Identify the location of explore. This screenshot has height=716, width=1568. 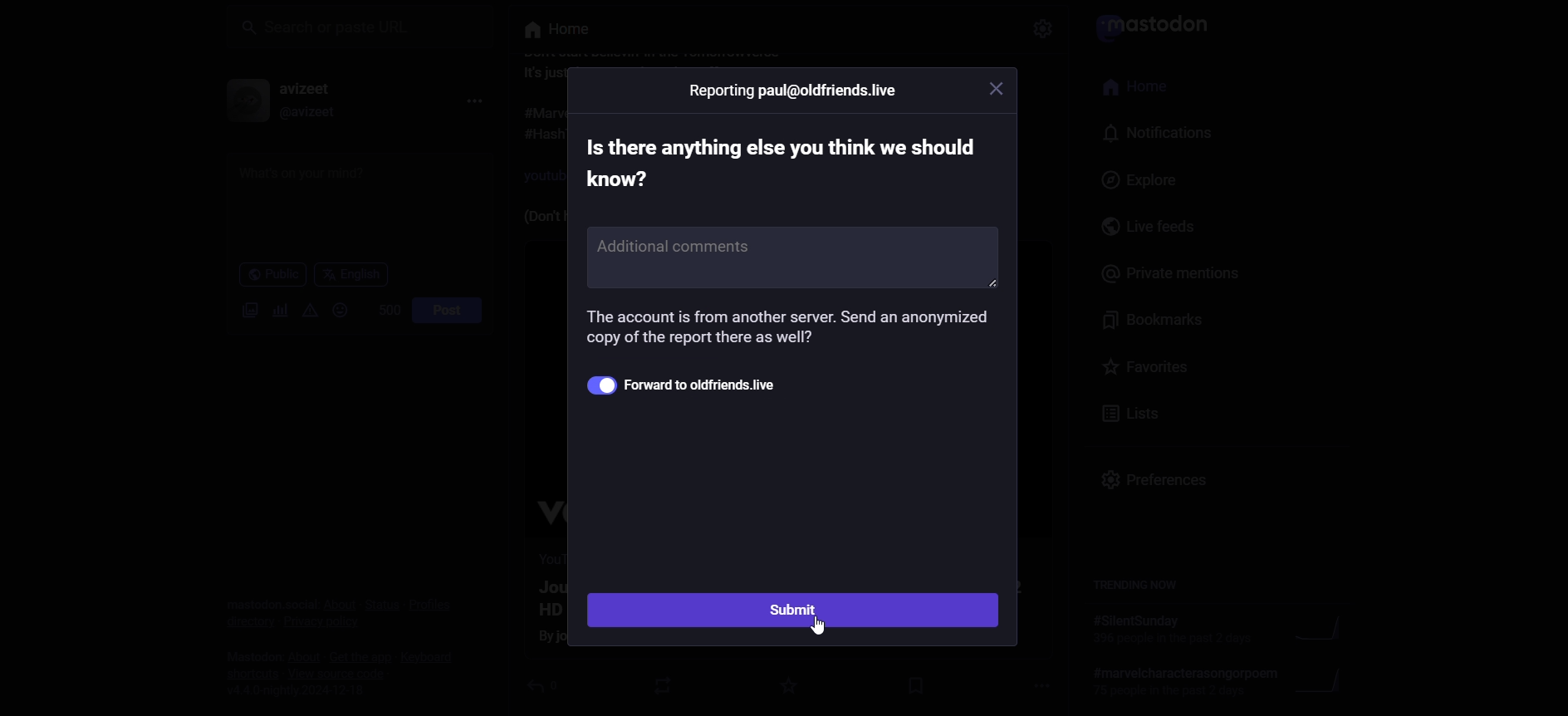
(1136, 180).